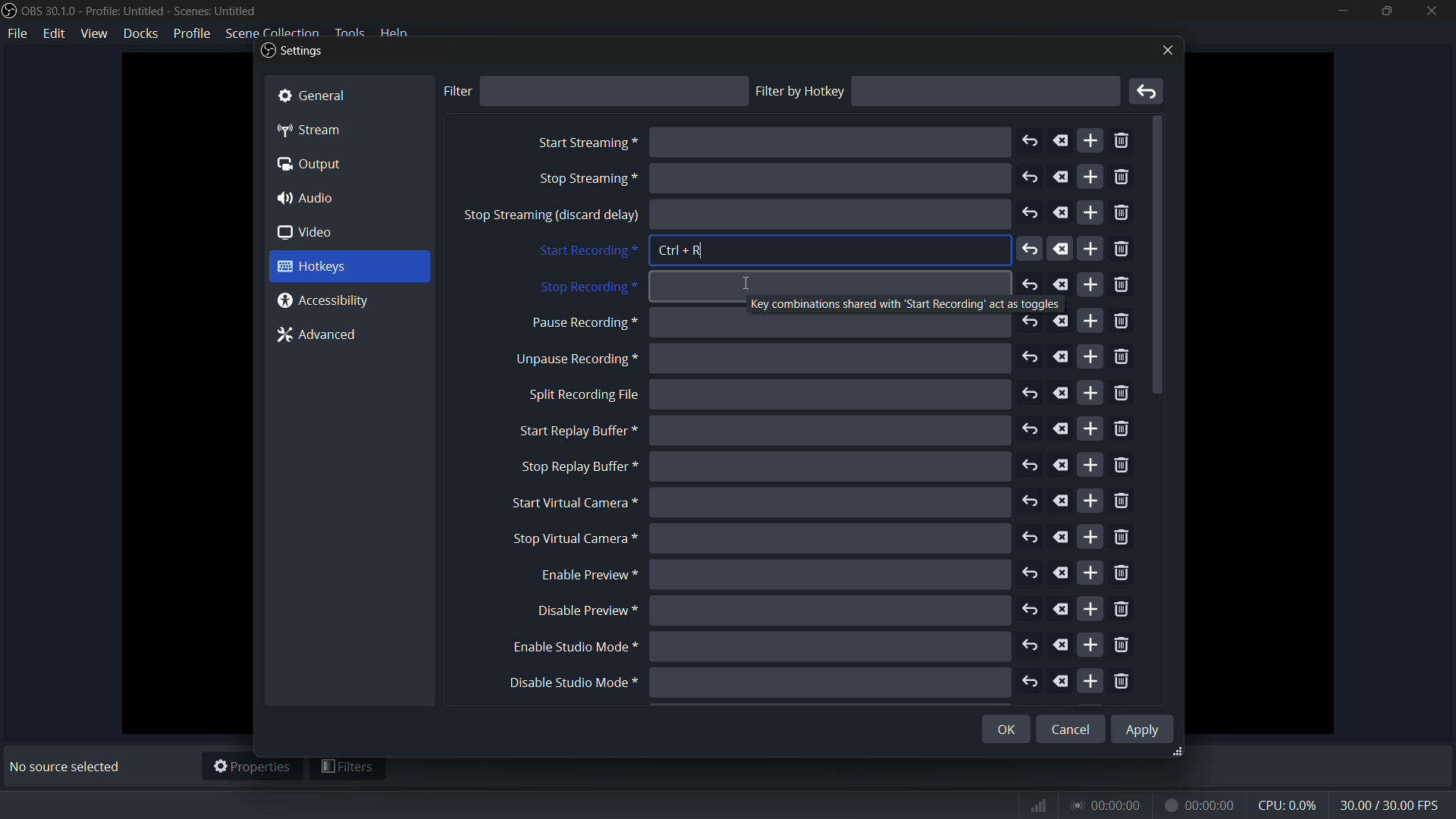  I want to click on add more, so click(1090, 142).